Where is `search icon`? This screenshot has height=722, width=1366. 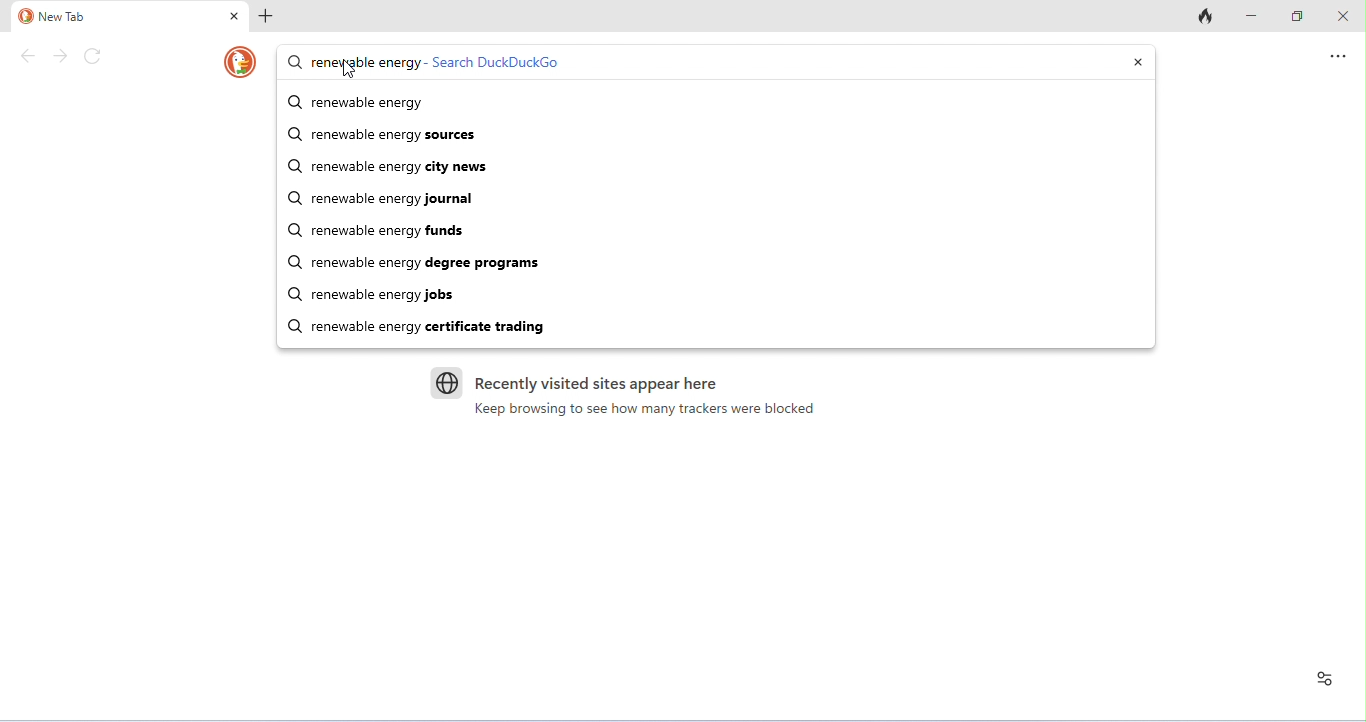 search icon is located at coordinates (295, 63).